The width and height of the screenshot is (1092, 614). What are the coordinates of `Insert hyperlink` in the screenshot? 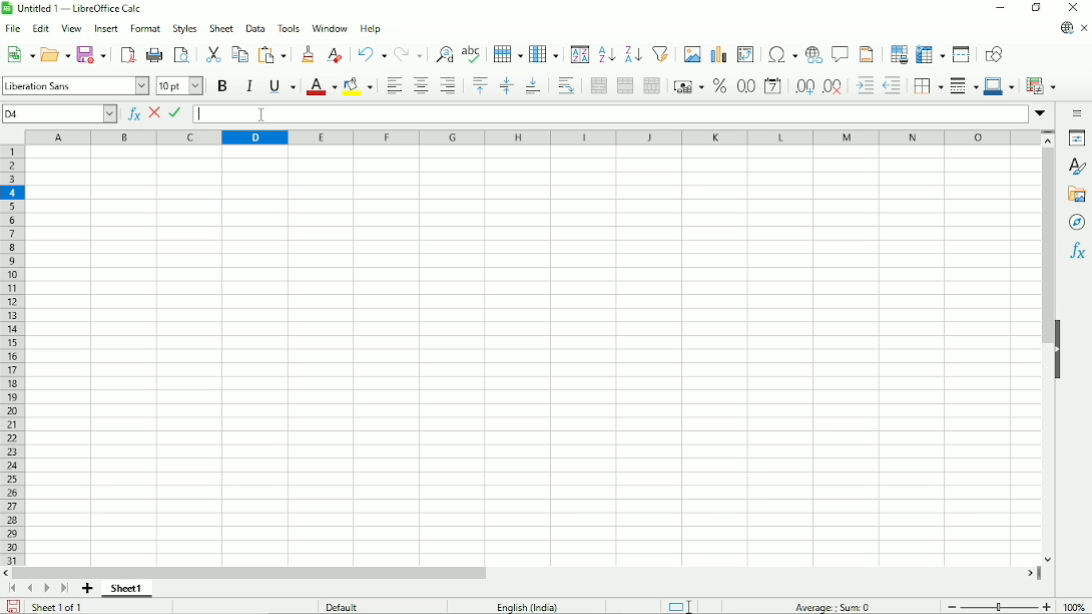 It's located at (814, 53).